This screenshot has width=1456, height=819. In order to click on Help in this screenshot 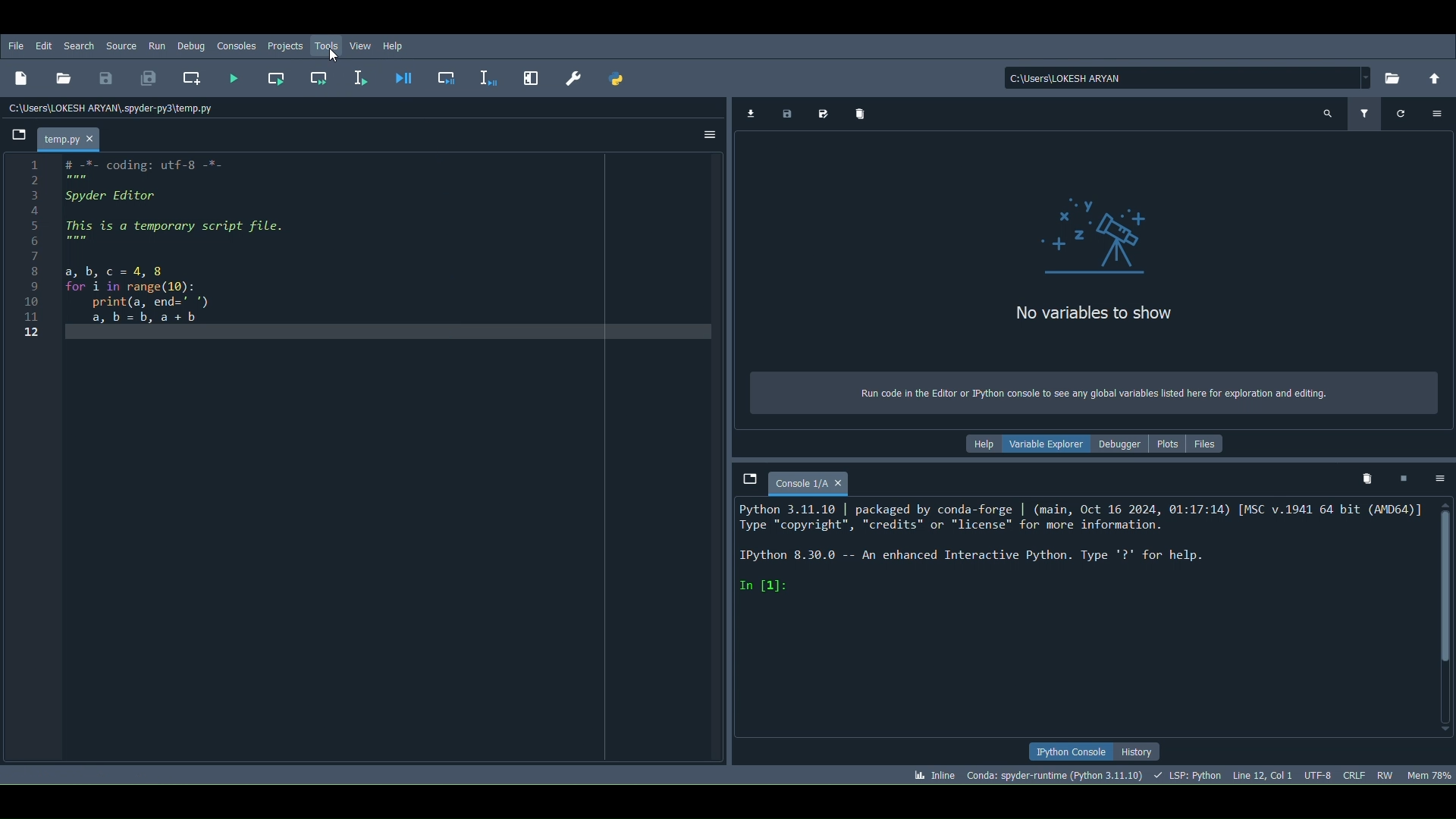, I will do `click(977, 444)`.